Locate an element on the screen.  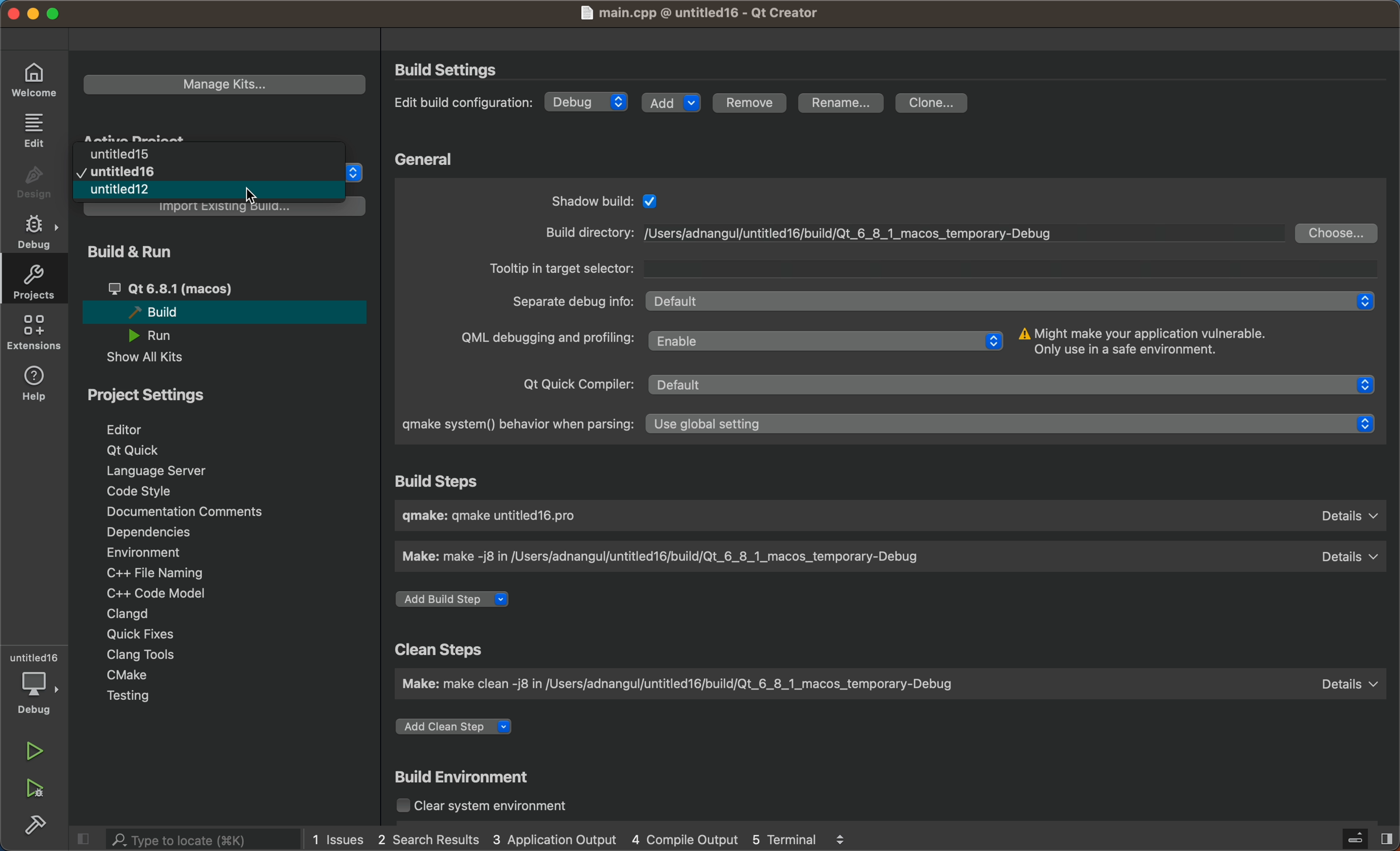
debug is located at coordinates (589, 104).